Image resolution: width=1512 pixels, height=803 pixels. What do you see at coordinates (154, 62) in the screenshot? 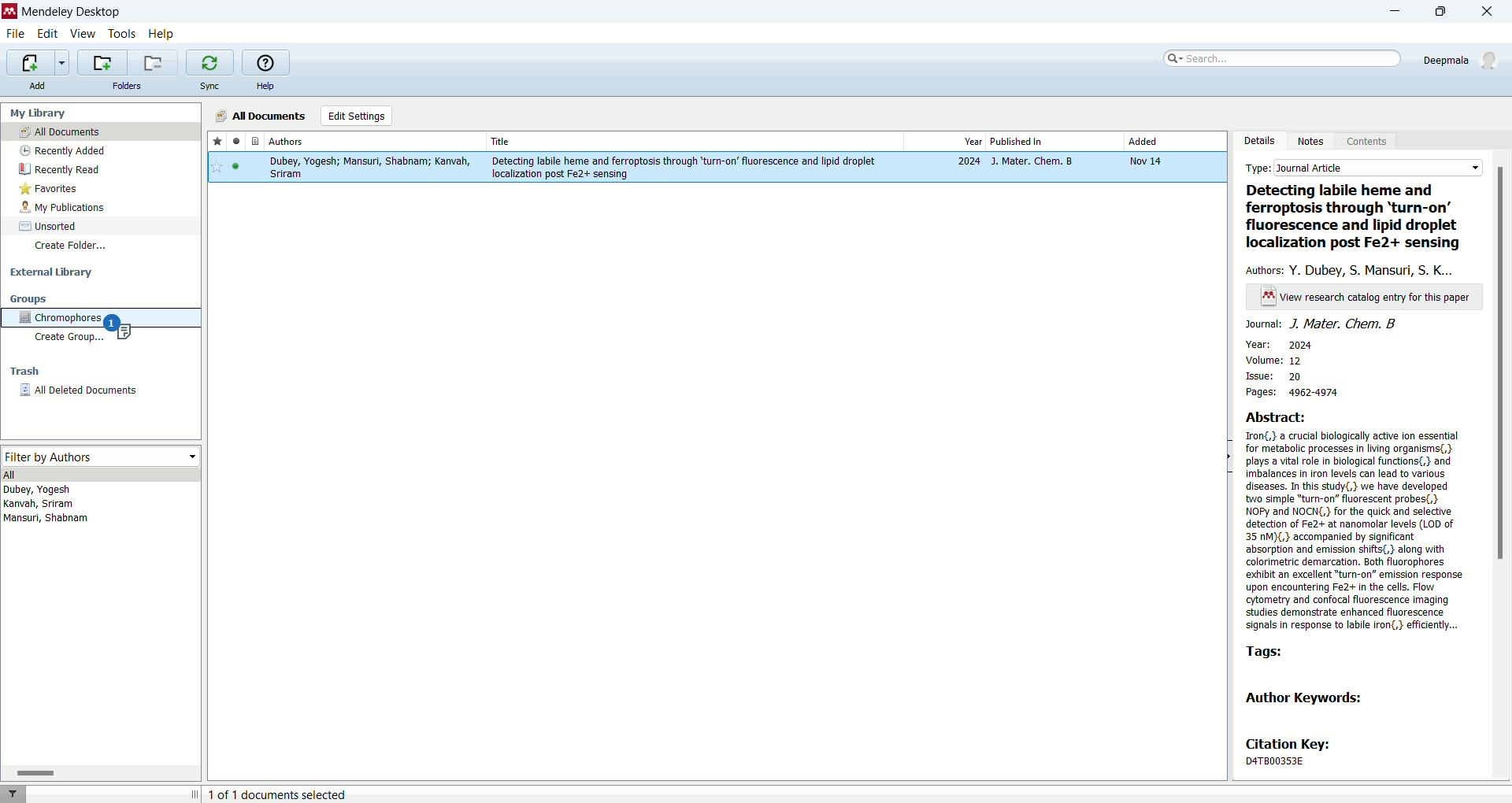
I see `remove current library` at bounding box center [154, 62].